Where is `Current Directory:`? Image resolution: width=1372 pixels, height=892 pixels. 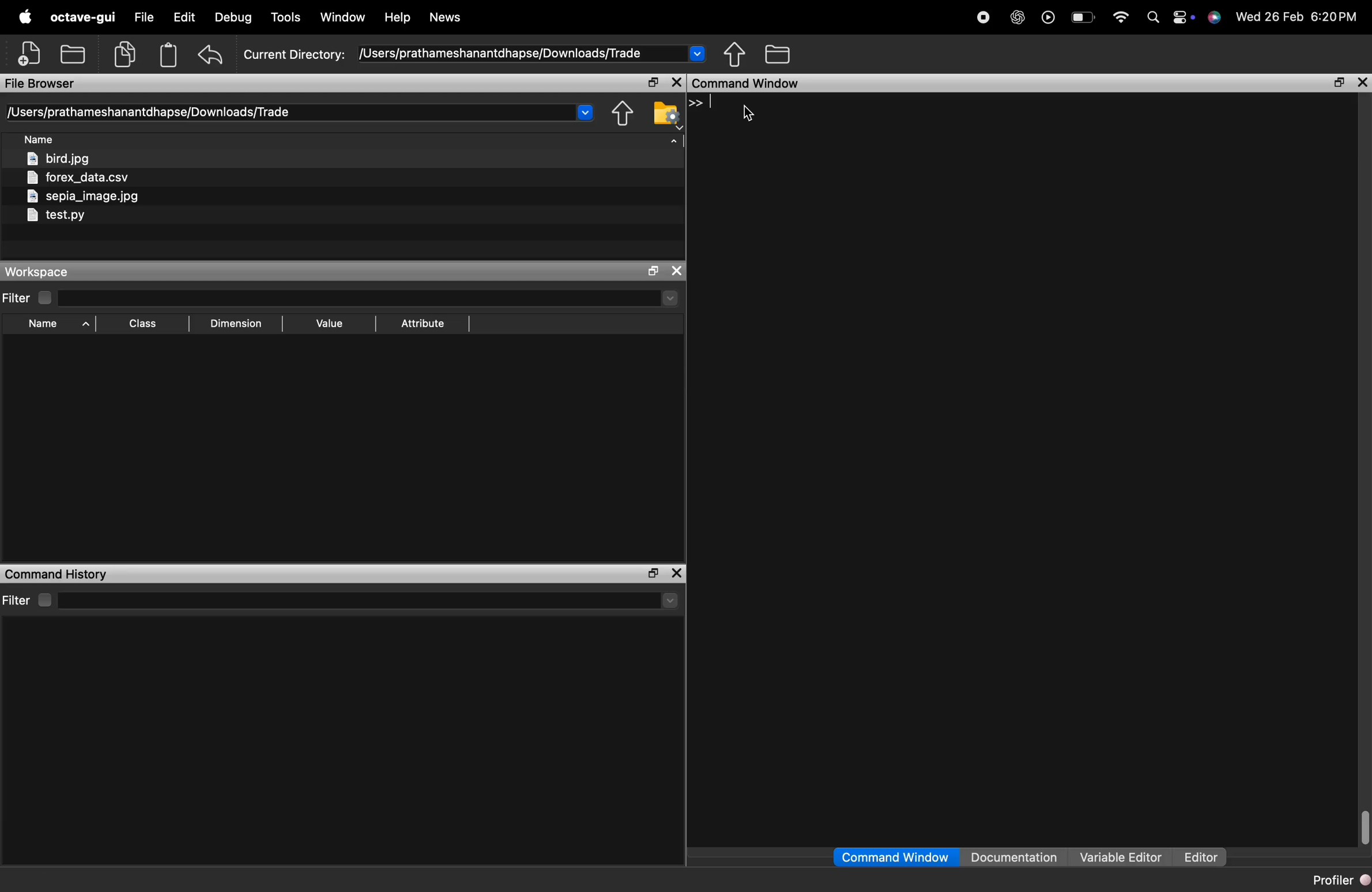
Current Directory: is located at coordinates (293, 55).